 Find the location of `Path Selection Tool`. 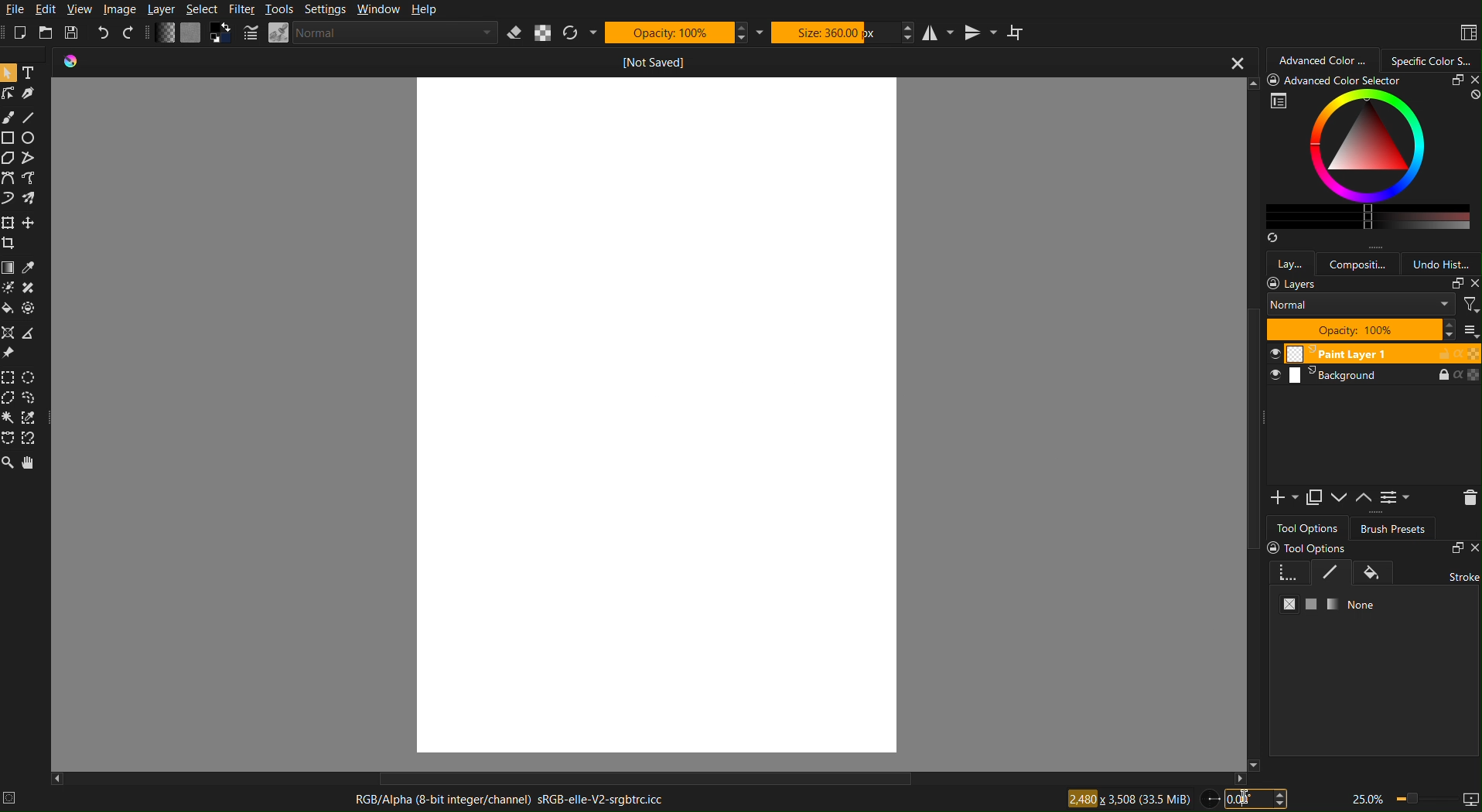

Path Selection Tool is located at coordinates (32, 157).